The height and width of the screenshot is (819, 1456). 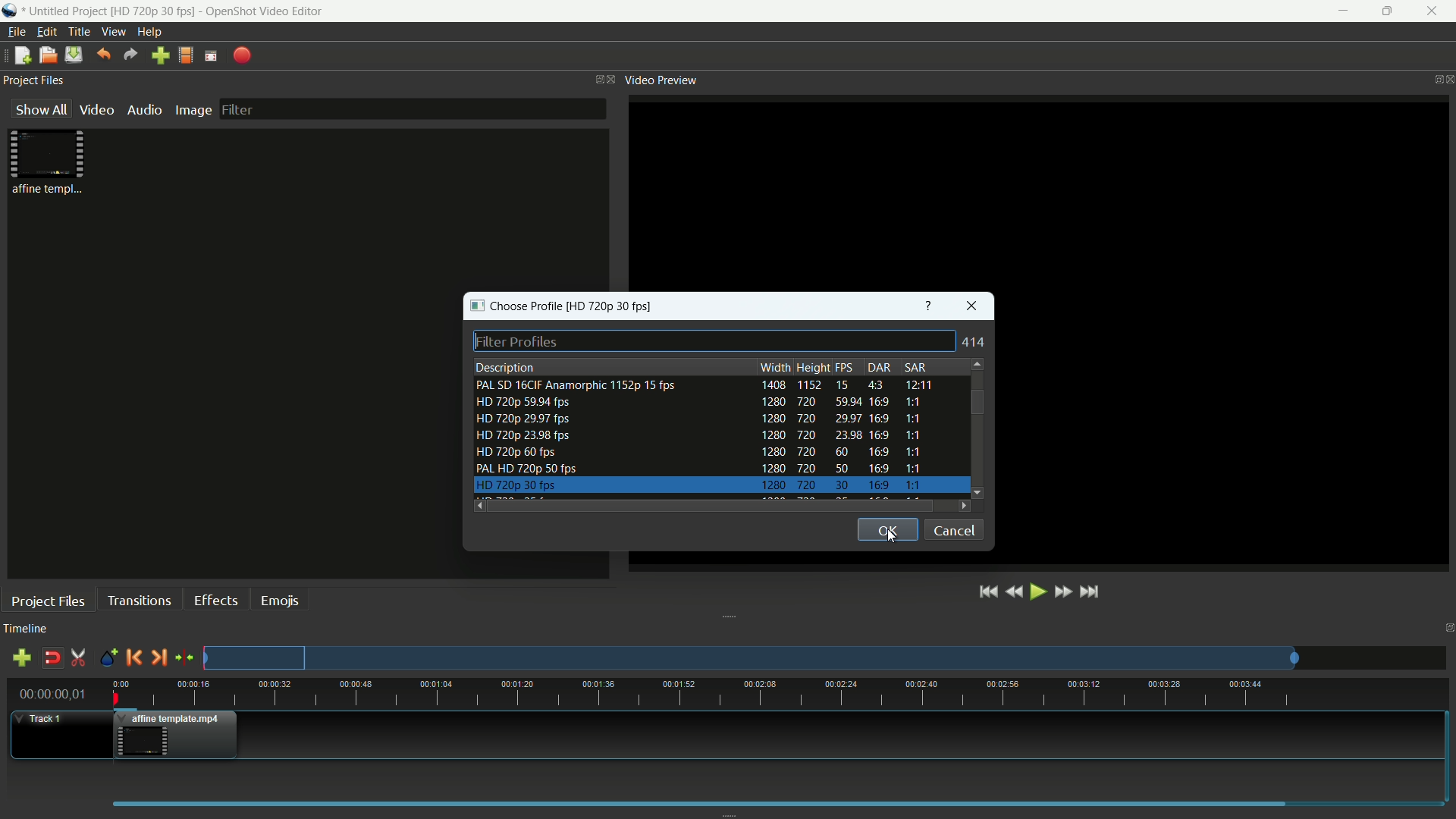 What do you see at coordinates (176, 734) in the screenshot?
I see `video in track` at bounding box center [176, 734].